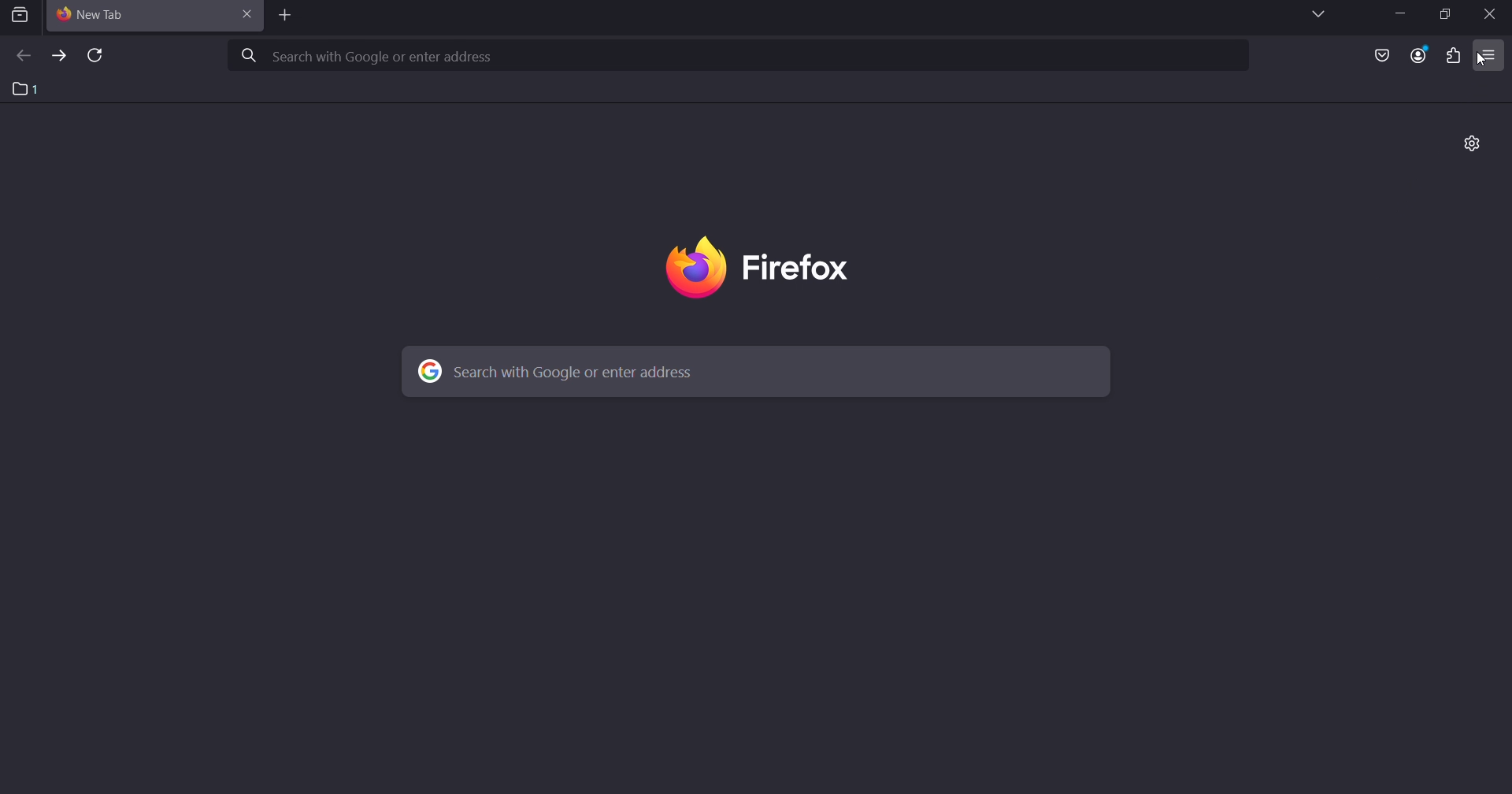  What do you see at coordinates (1485, 64) in the screenshot?
I see `cursor` at bounding box center [1485, 64].